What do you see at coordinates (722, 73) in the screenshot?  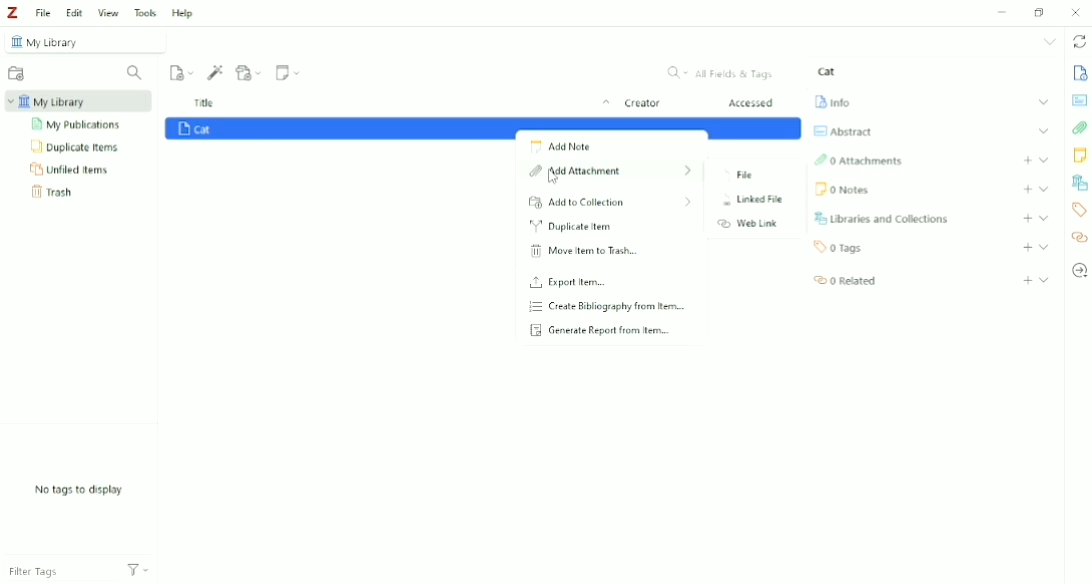 I see `All Fields & Tags` at bounding box center [722, 73].